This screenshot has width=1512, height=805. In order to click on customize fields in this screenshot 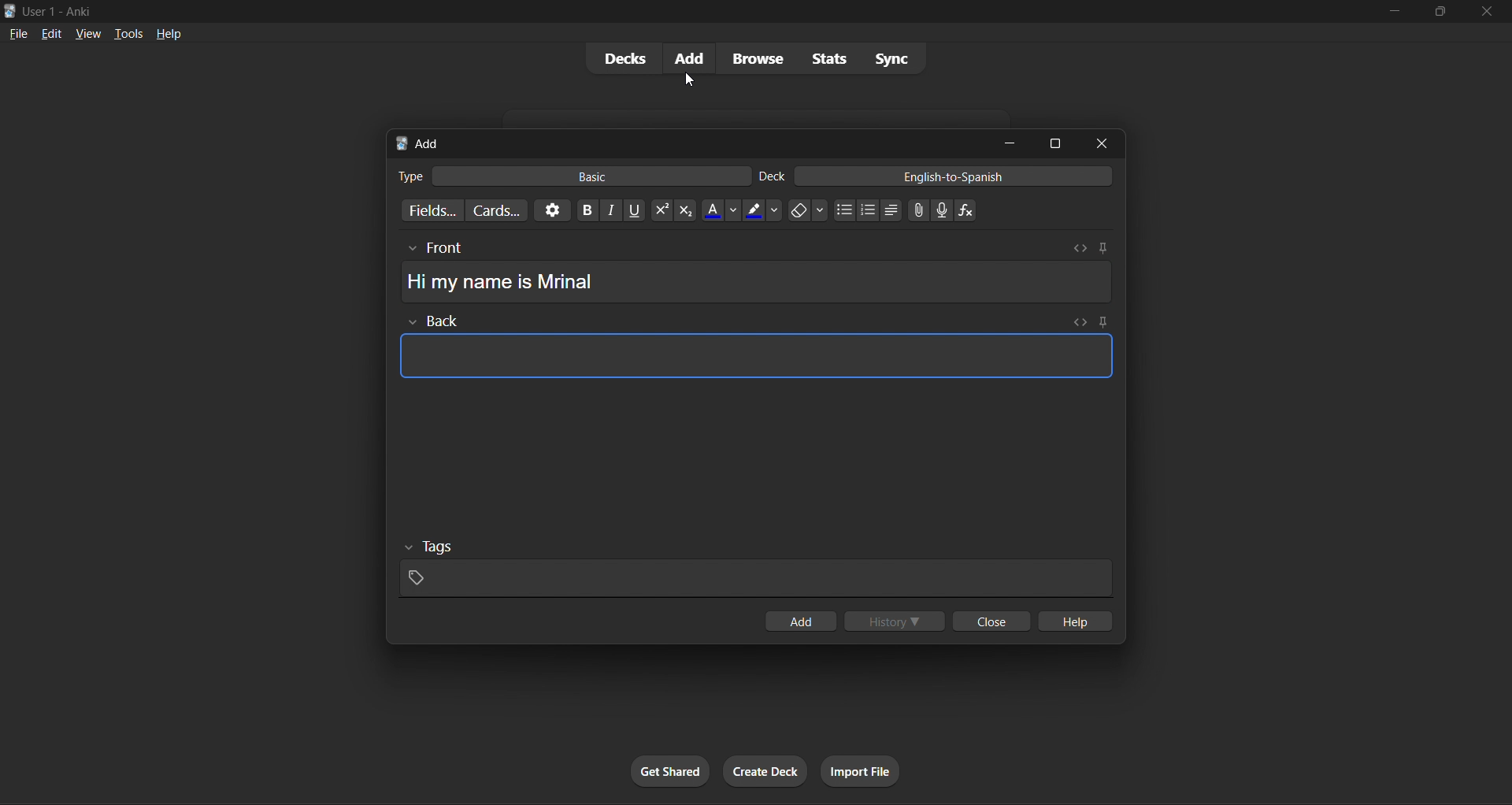, I will do `click(431, 210)`.